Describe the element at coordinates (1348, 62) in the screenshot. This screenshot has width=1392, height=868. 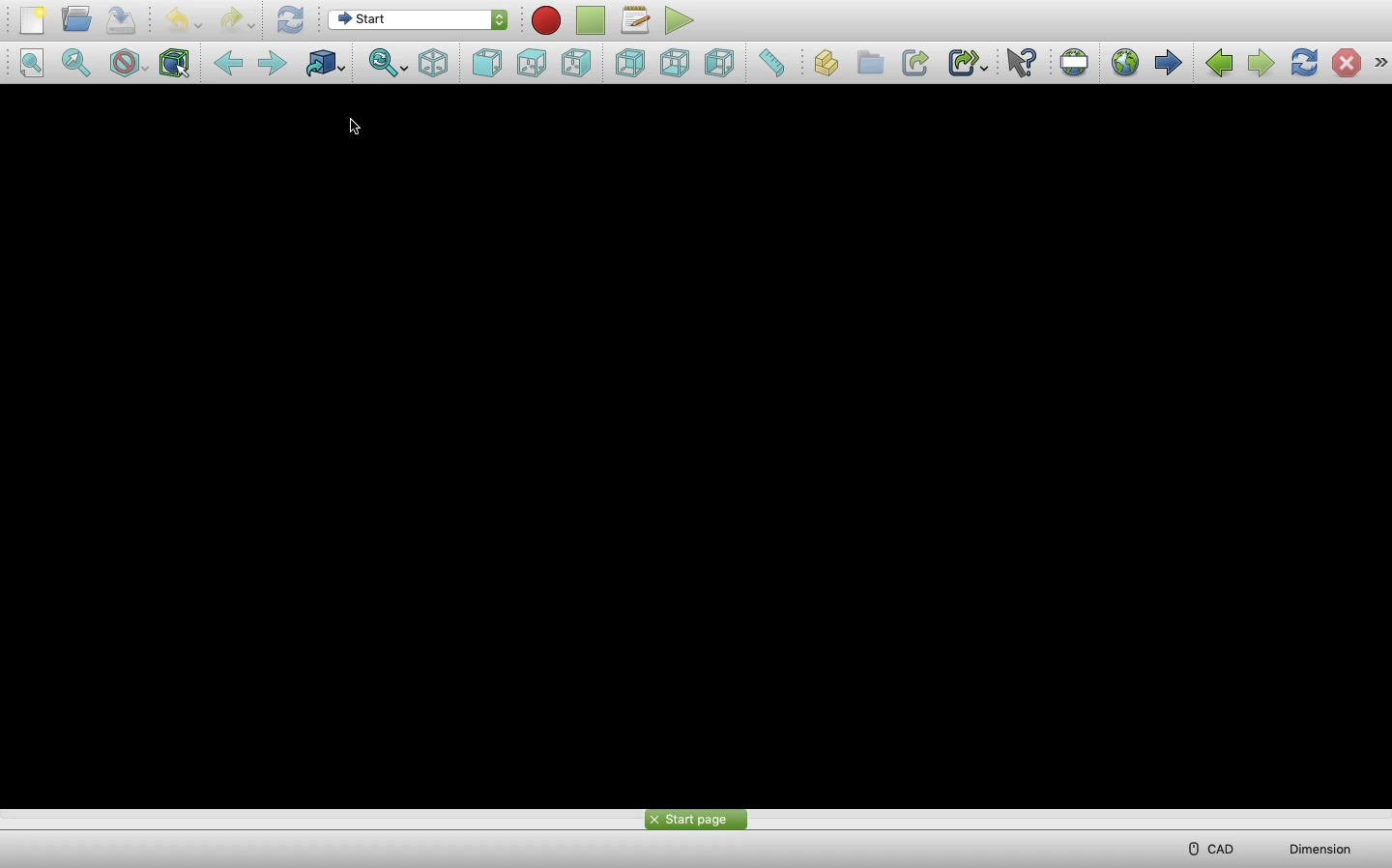
I see `Delete` at that location.